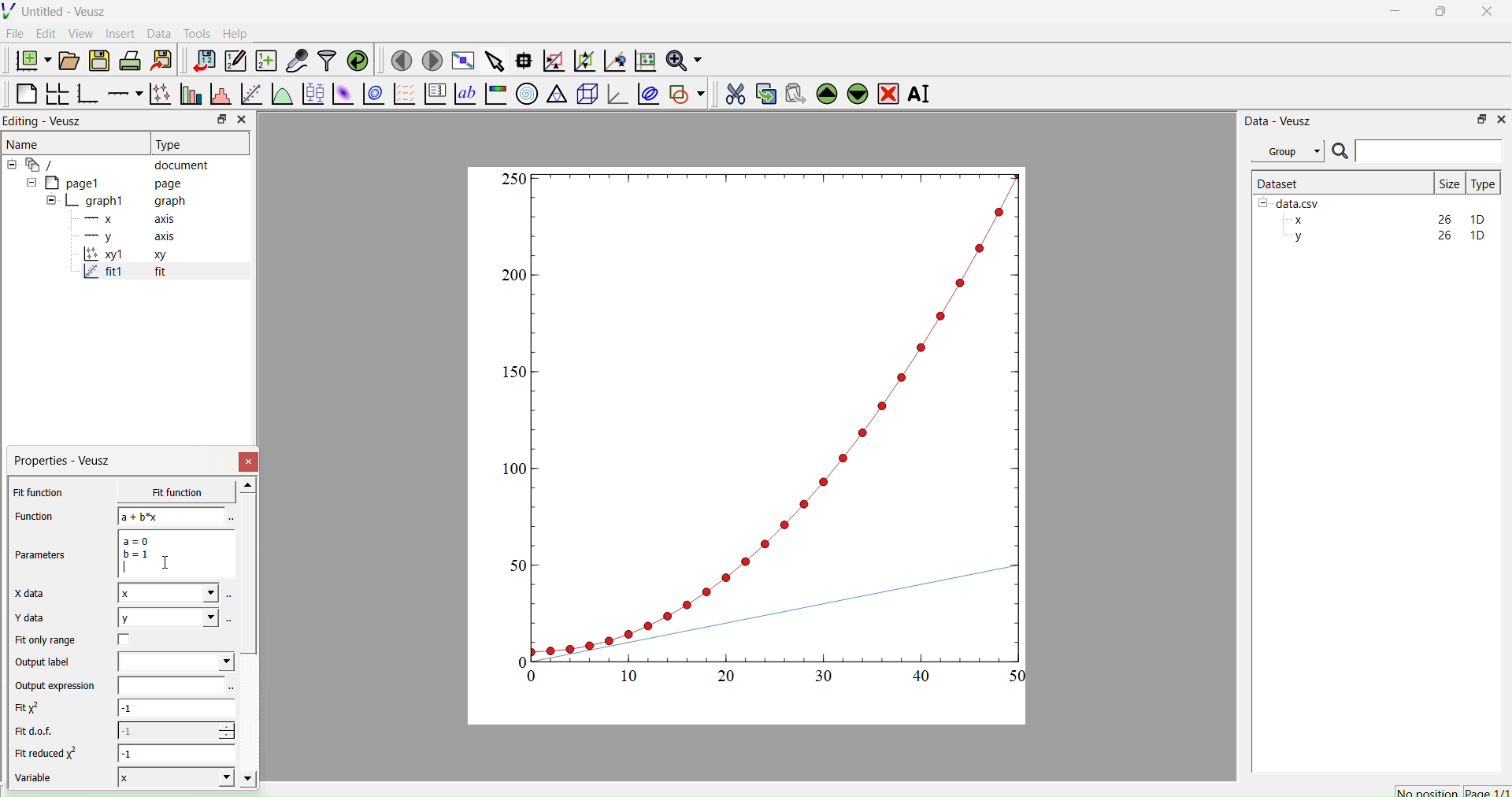 The height and width of the screenshot is (797, 1512). I want to click on Search, so click(1340, 152).